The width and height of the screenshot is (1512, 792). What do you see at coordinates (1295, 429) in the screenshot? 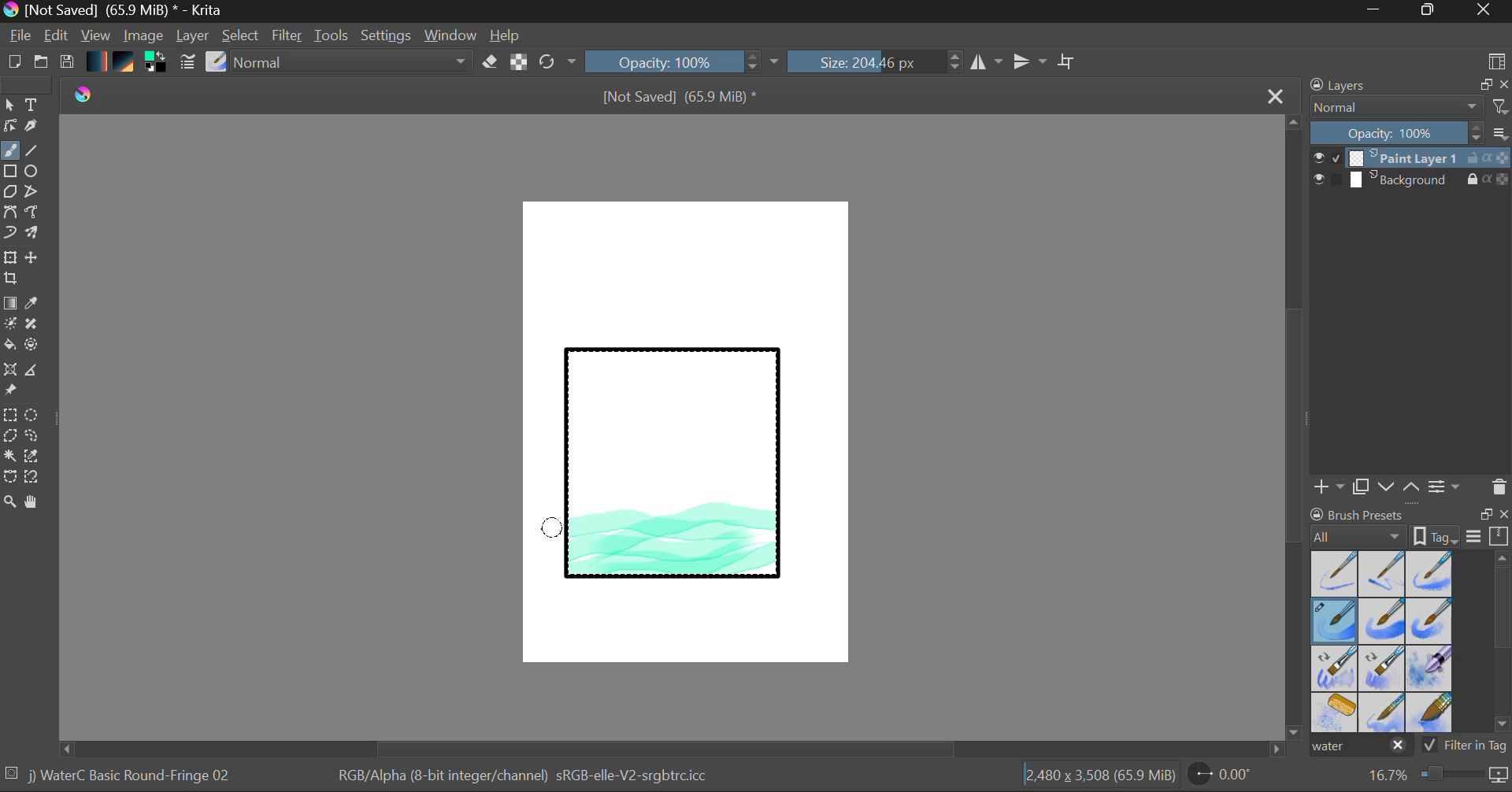
I see `Scroll Bar` at bounding box center [1295, 429].